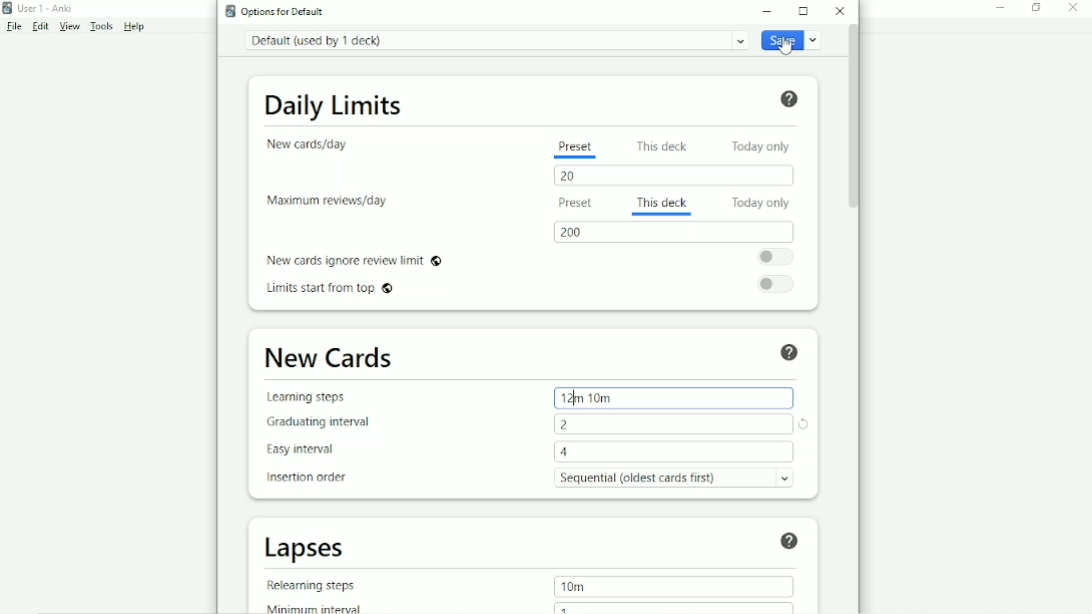  Describe the element at coordinates (573, 177) in the screenshot. I see `20` at that location.